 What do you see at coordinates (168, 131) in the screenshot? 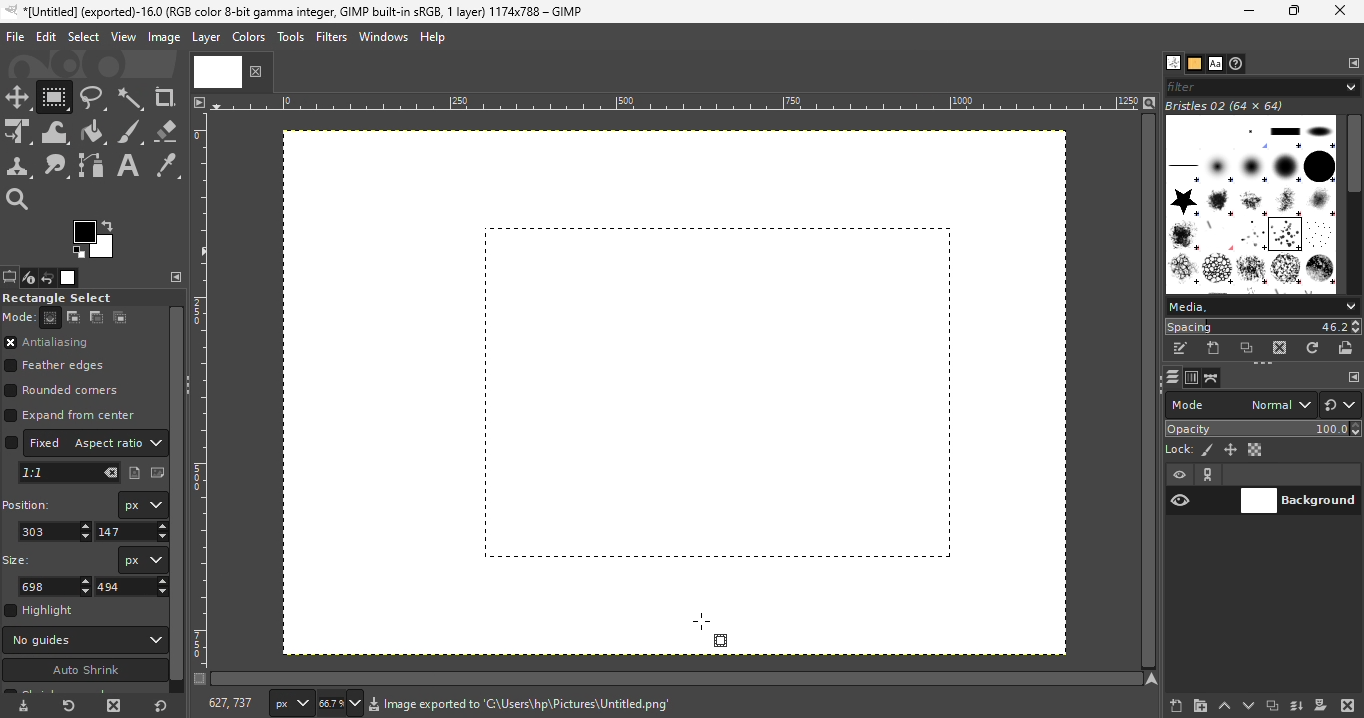
I see `Eraser tool` at bounding box center [168, 131].